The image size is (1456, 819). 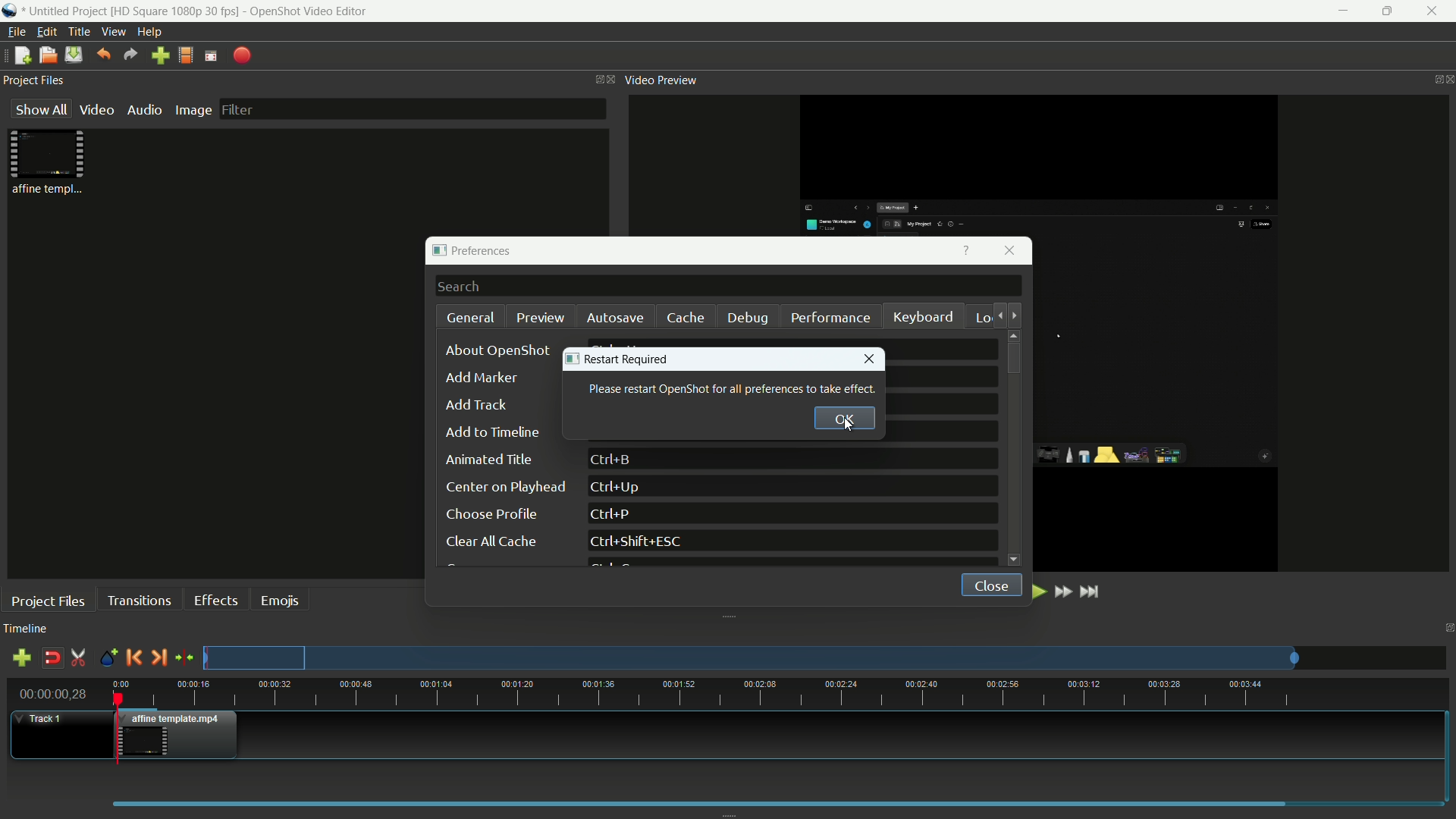 What do you see at coordinates (38, 110) in the screenshot?
I see `show all` at bounding box center [38, 110].